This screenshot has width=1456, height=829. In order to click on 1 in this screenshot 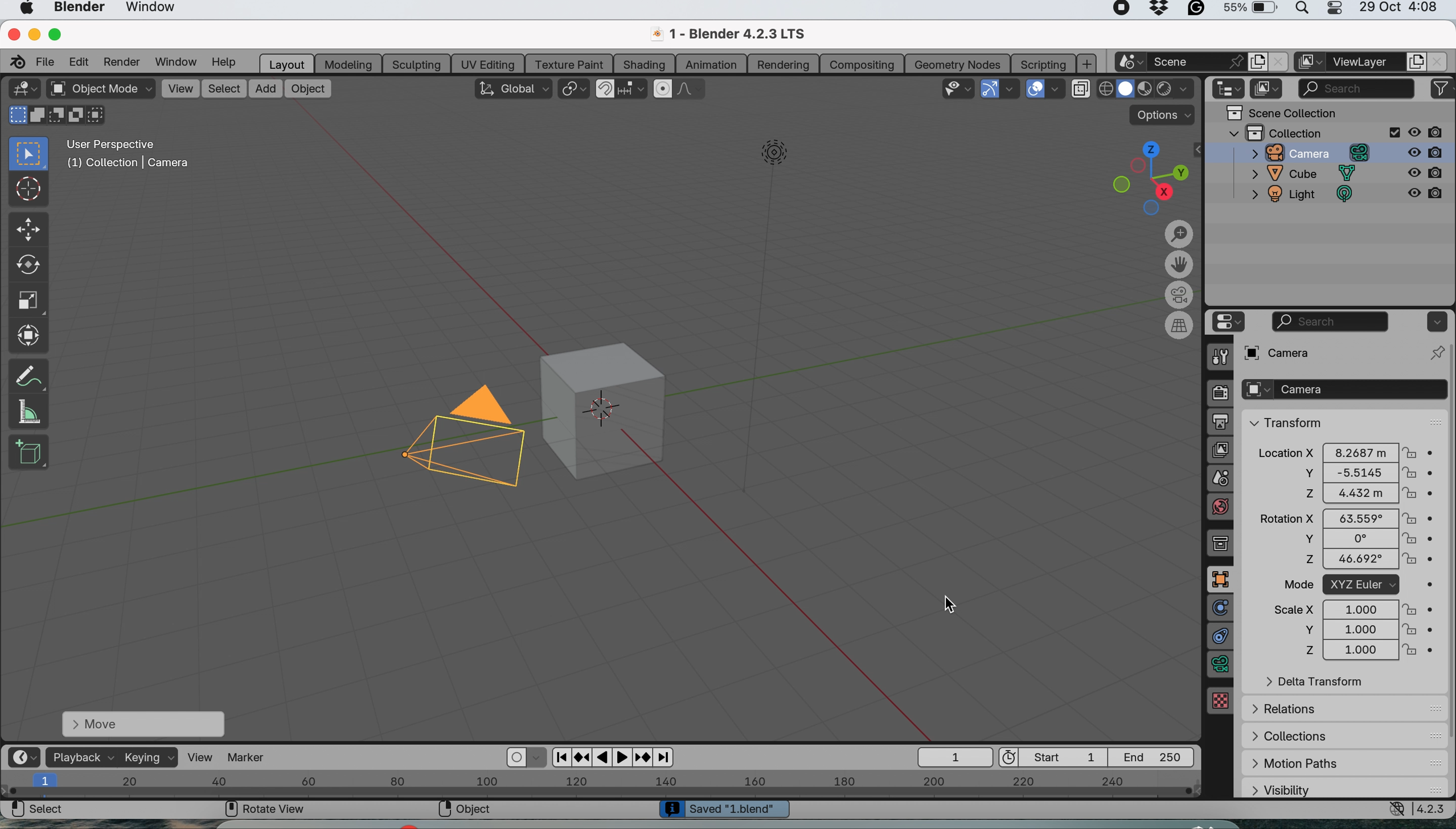, I will do `click(956, 758)`.